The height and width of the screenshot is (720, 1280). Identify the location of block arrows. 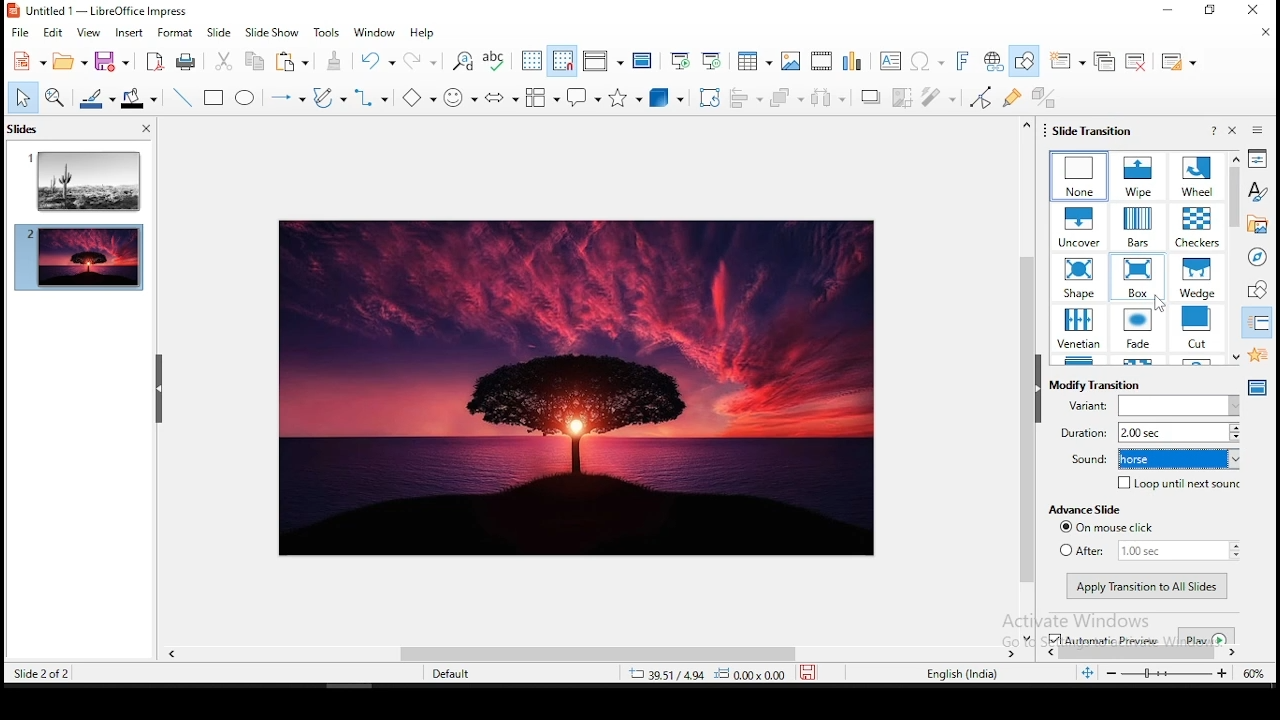
(503, 98).